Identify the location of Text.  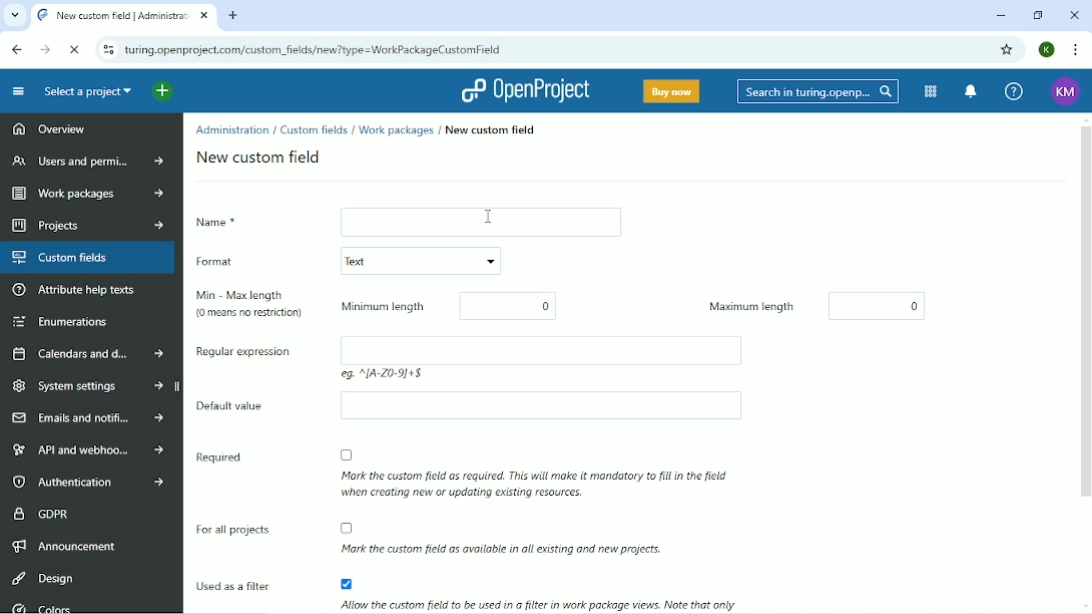
(415, 262).